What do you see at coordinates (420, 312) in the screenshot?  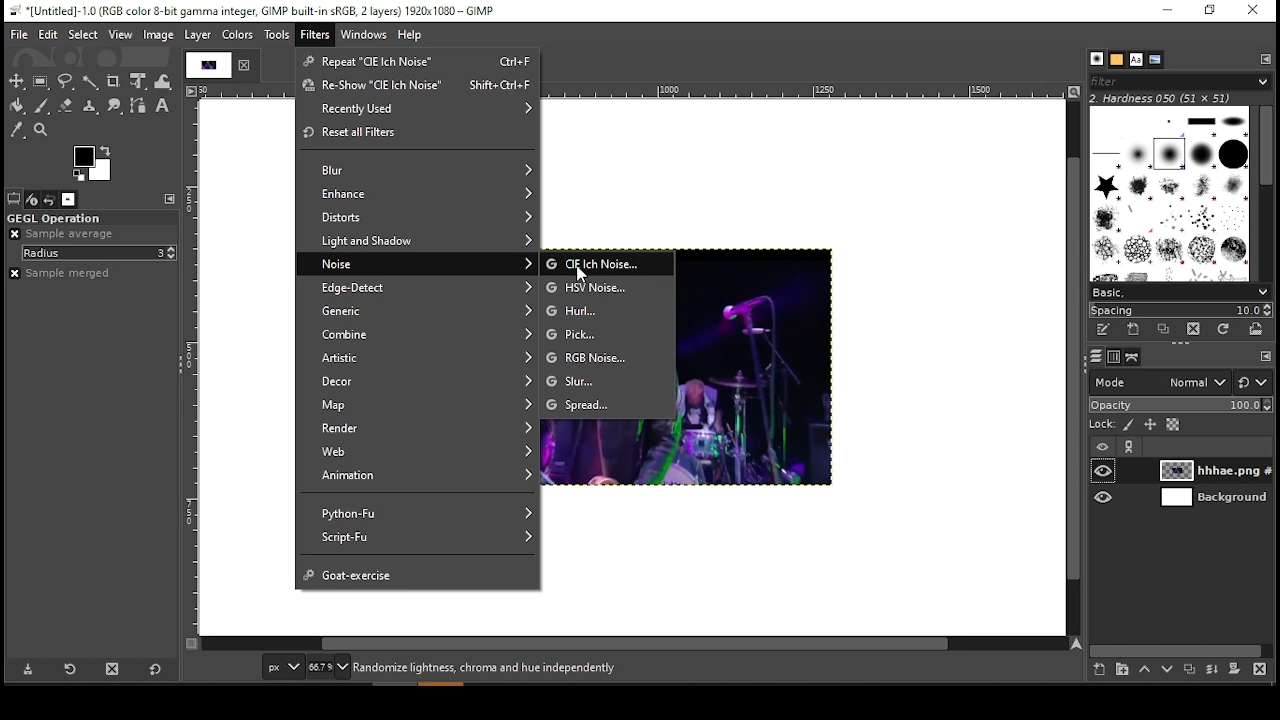 I see `generic` at bounding box center [420, 312].